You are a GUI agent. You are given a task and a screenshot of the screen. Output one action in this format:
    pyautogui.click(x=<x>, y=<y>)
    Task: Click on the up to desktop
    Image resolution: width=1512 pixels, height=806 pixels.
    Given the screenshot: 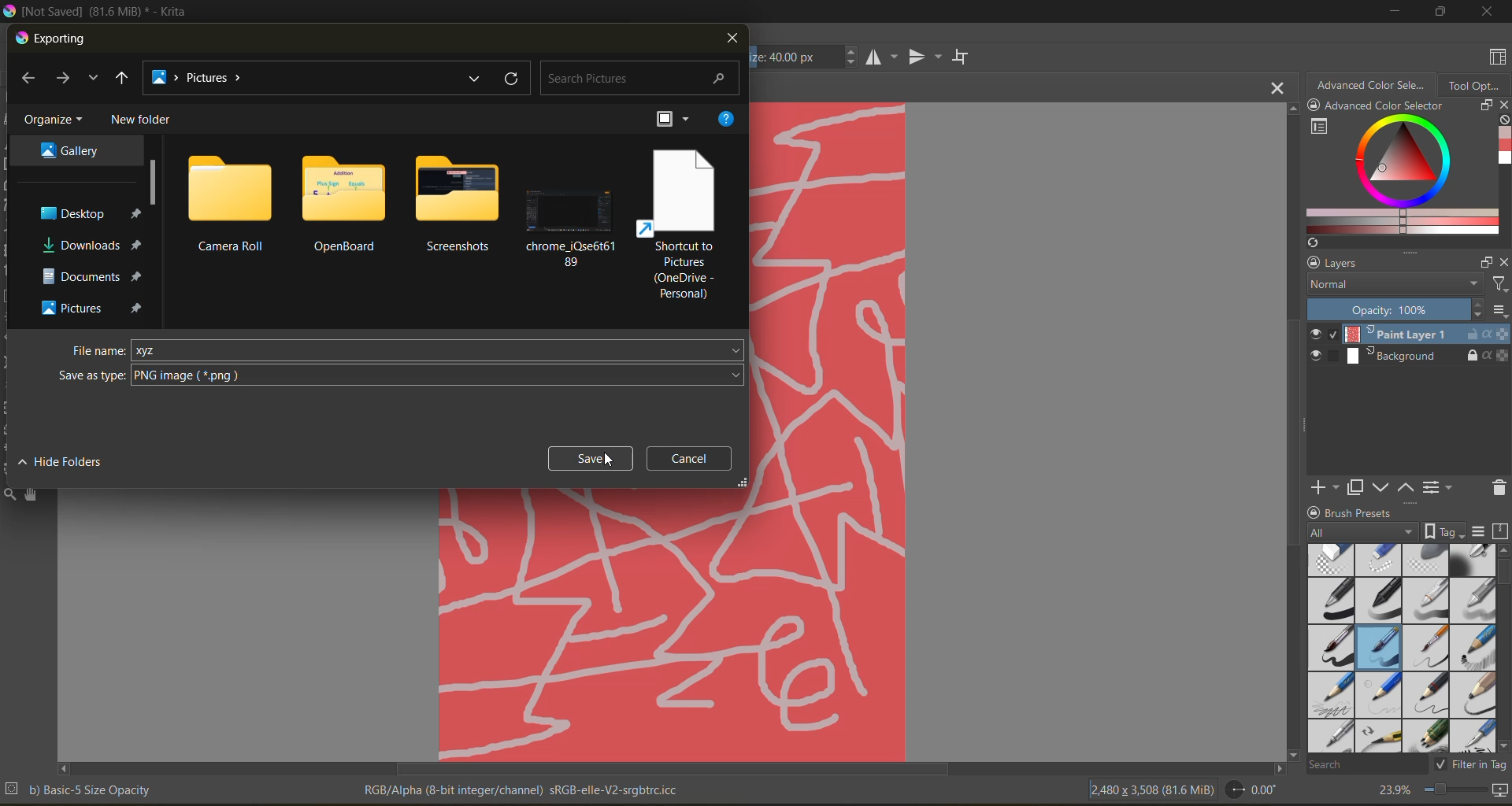 What is the action you would take?
    pyautogui.click(x=122, y=80)
    